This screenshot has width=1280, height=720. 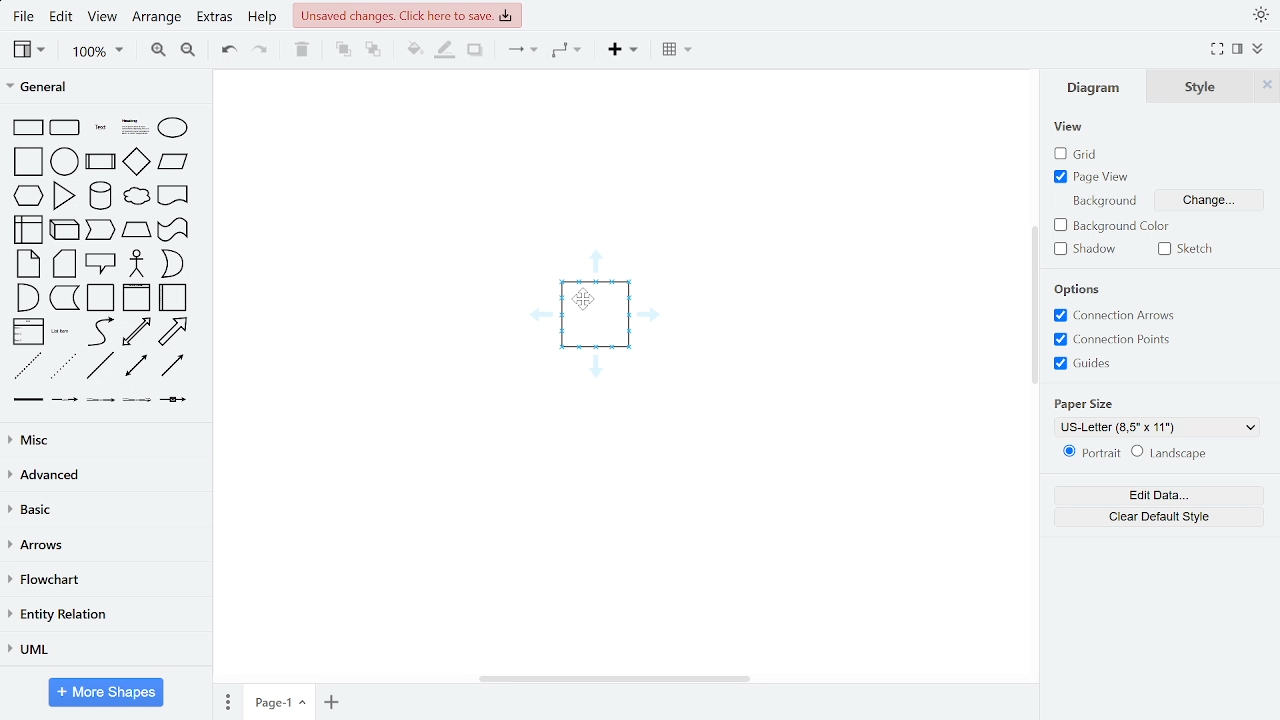 What do you see at coordinates (99, 297) in the screenshot?
I see `general shapes` at bounding box center [99, 297].